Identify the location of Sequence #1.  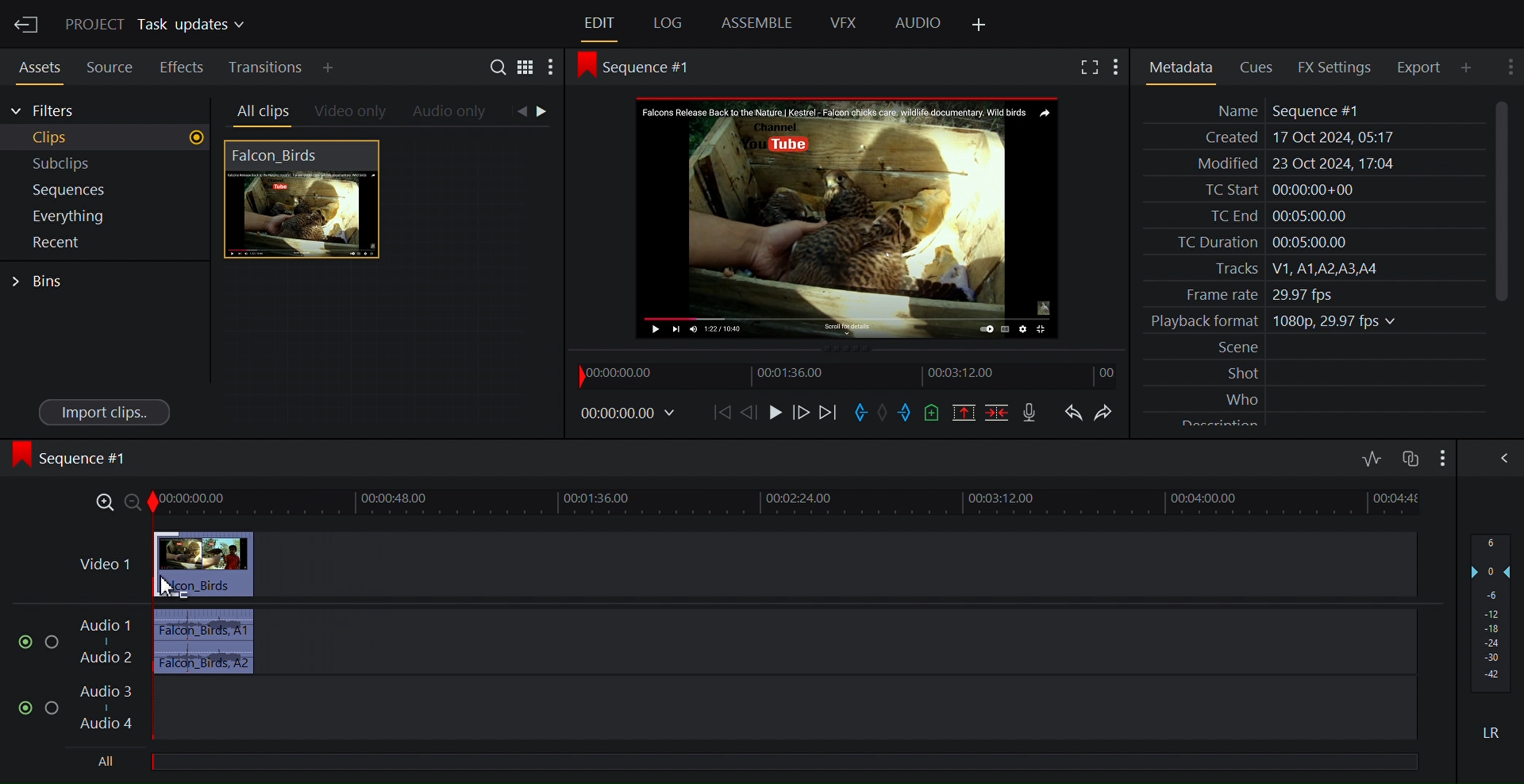
(645, 67).